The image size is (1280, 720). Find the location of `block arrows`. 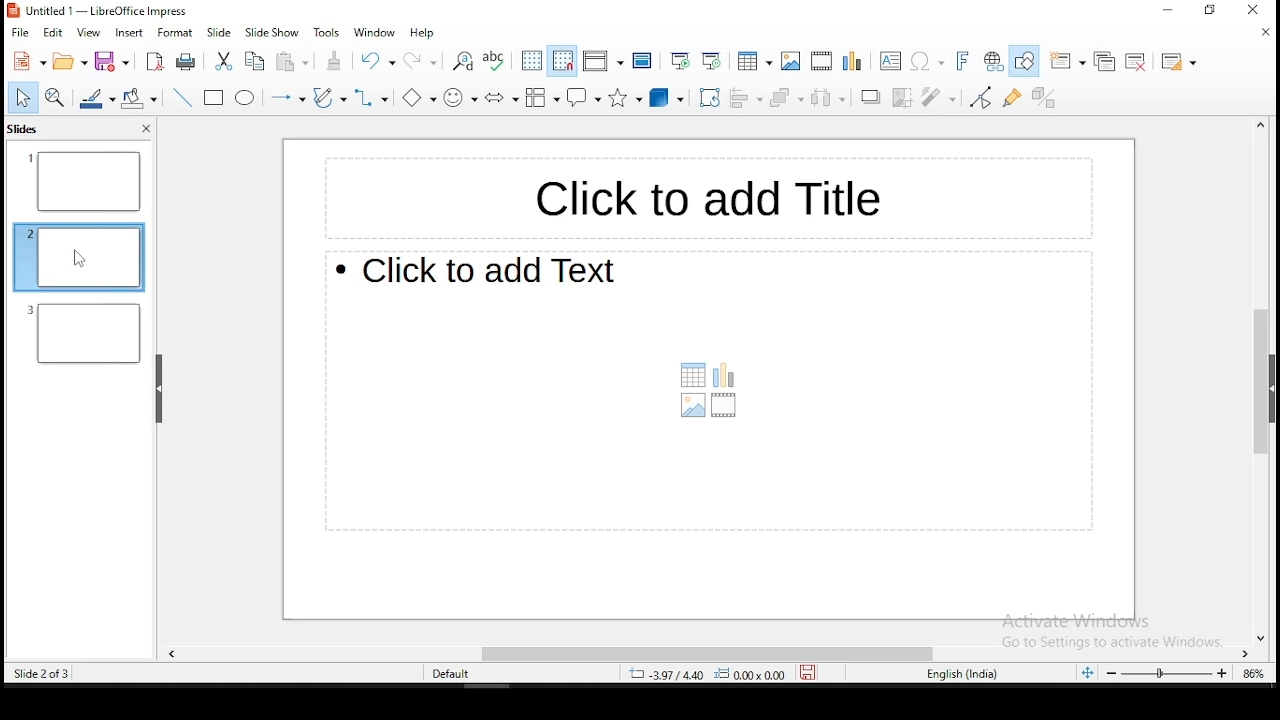

block arrows is located at coordinates (500, 97).